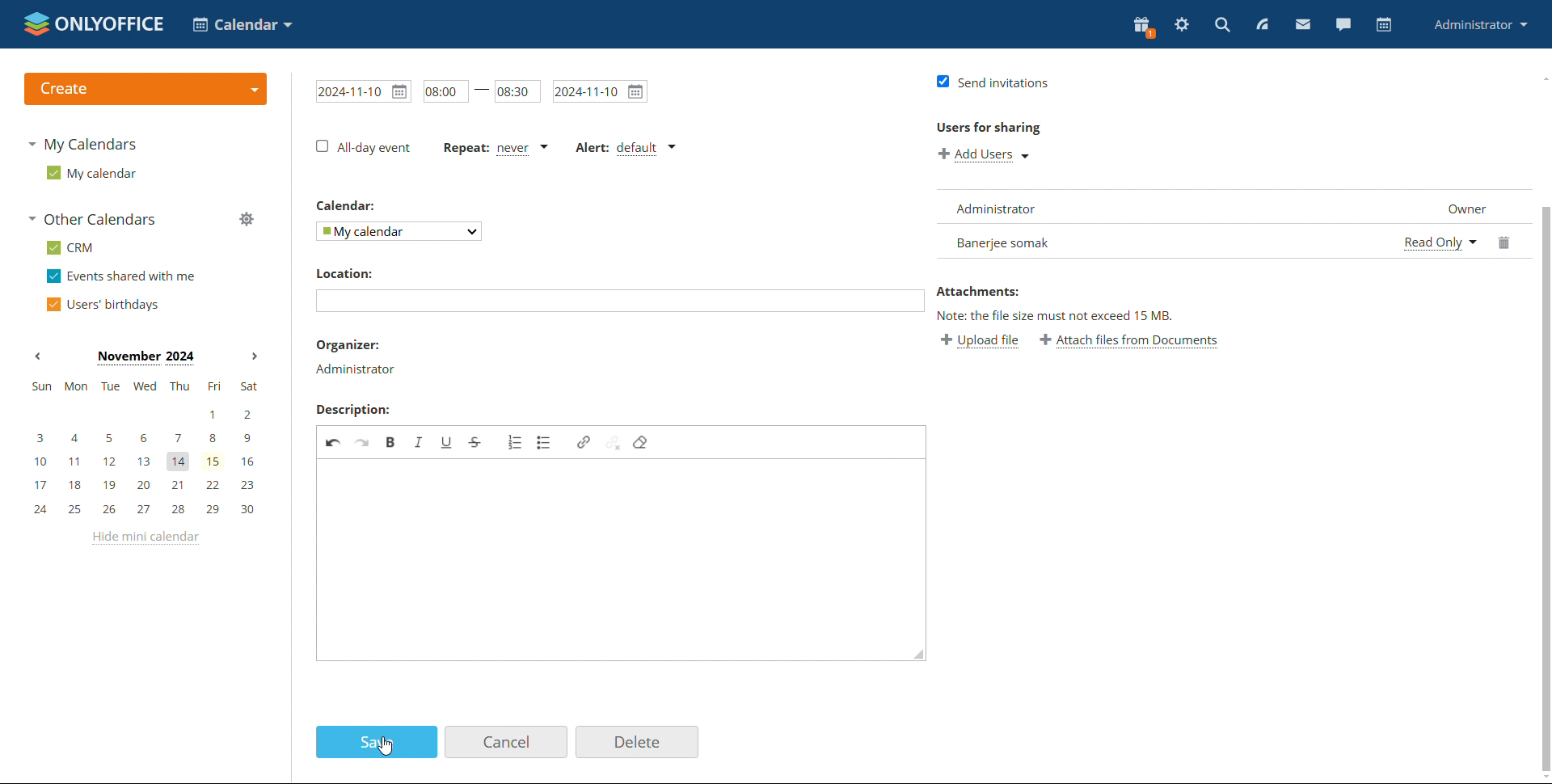  I want to click on owner, so click(1459, 209).